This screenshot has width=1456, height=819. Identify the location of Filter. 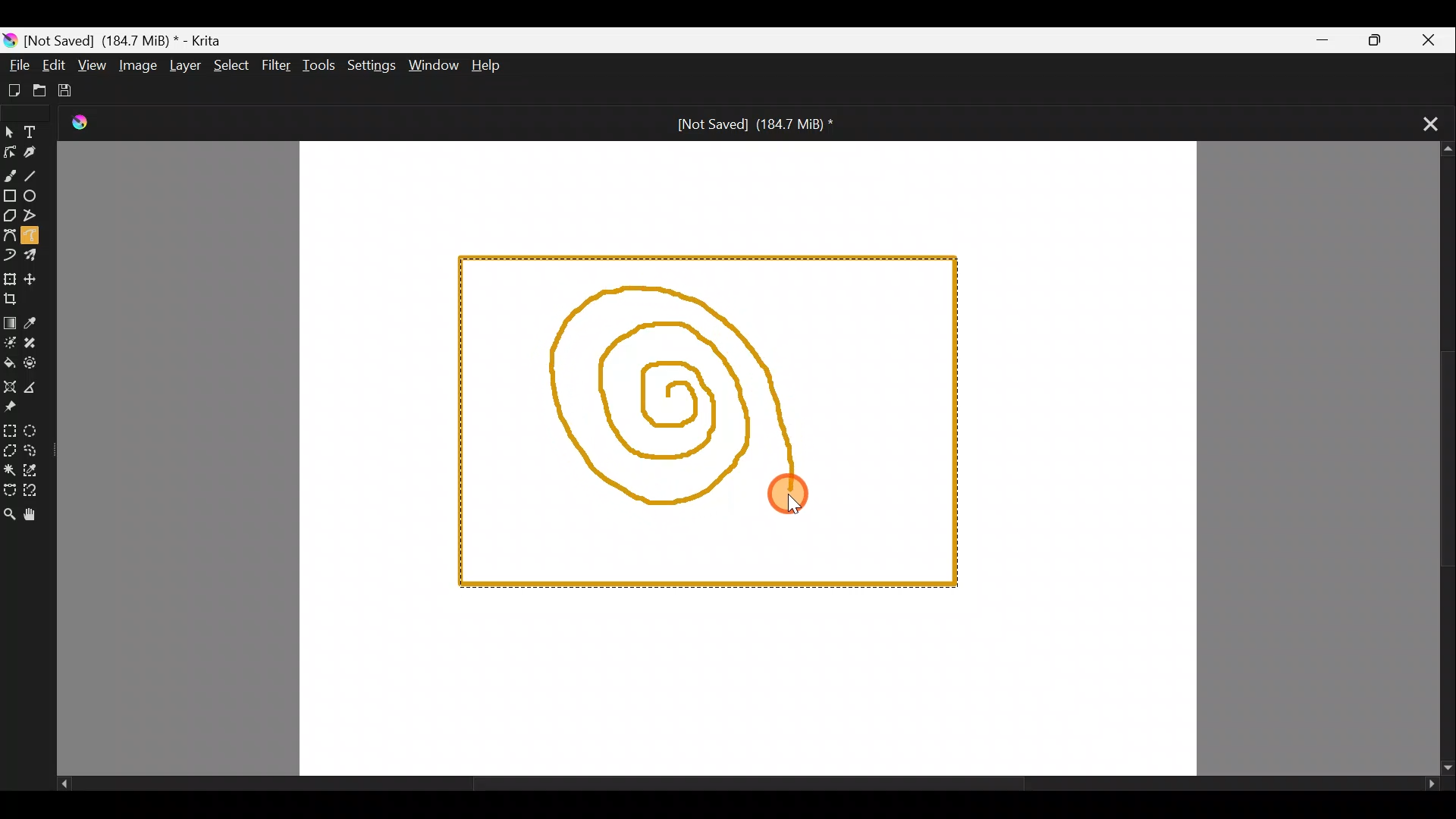
(276, 67).